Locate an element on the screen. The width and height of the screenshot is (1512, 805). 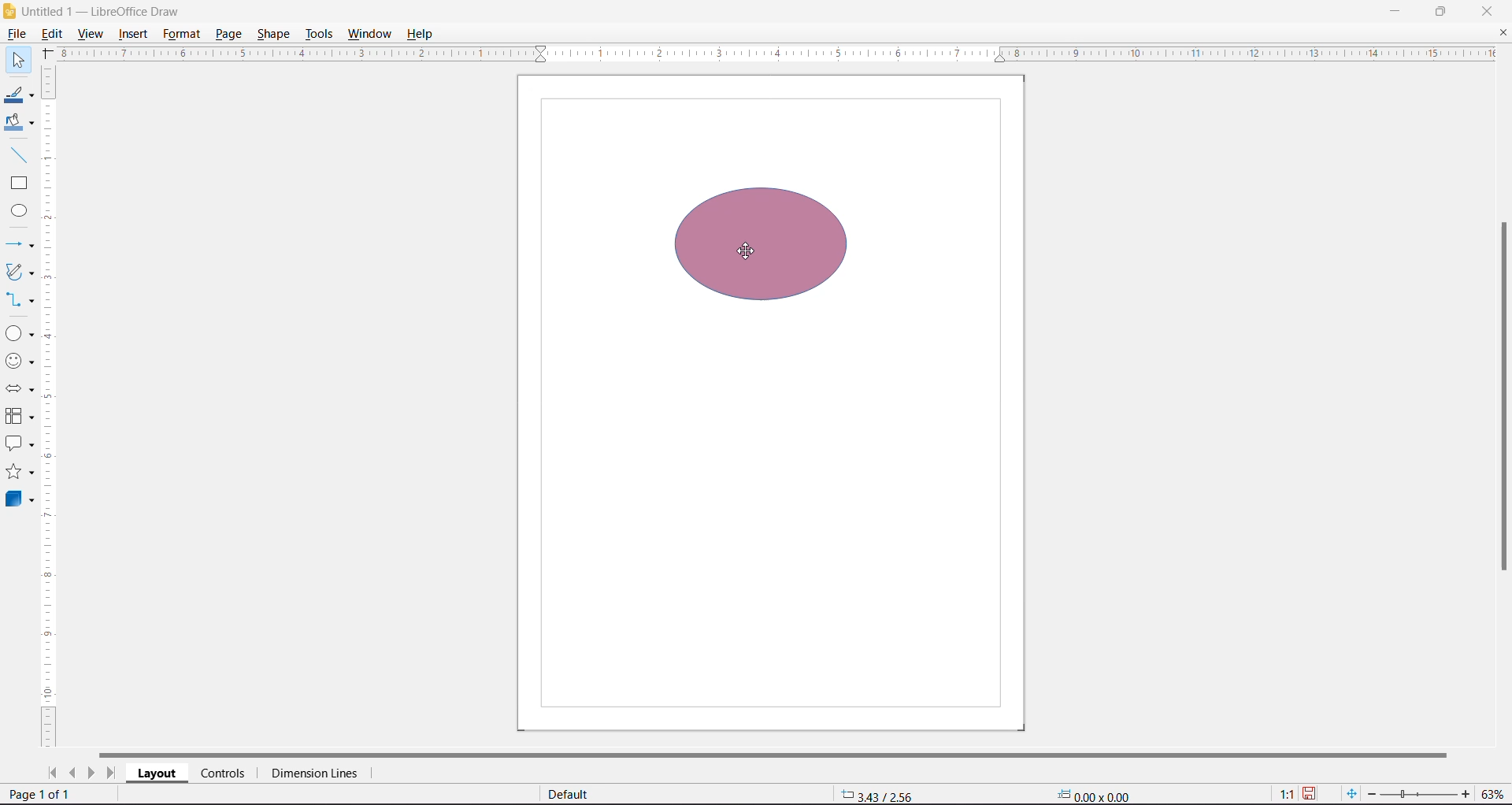
Scroll to next page is located at coordinates (92, 773).